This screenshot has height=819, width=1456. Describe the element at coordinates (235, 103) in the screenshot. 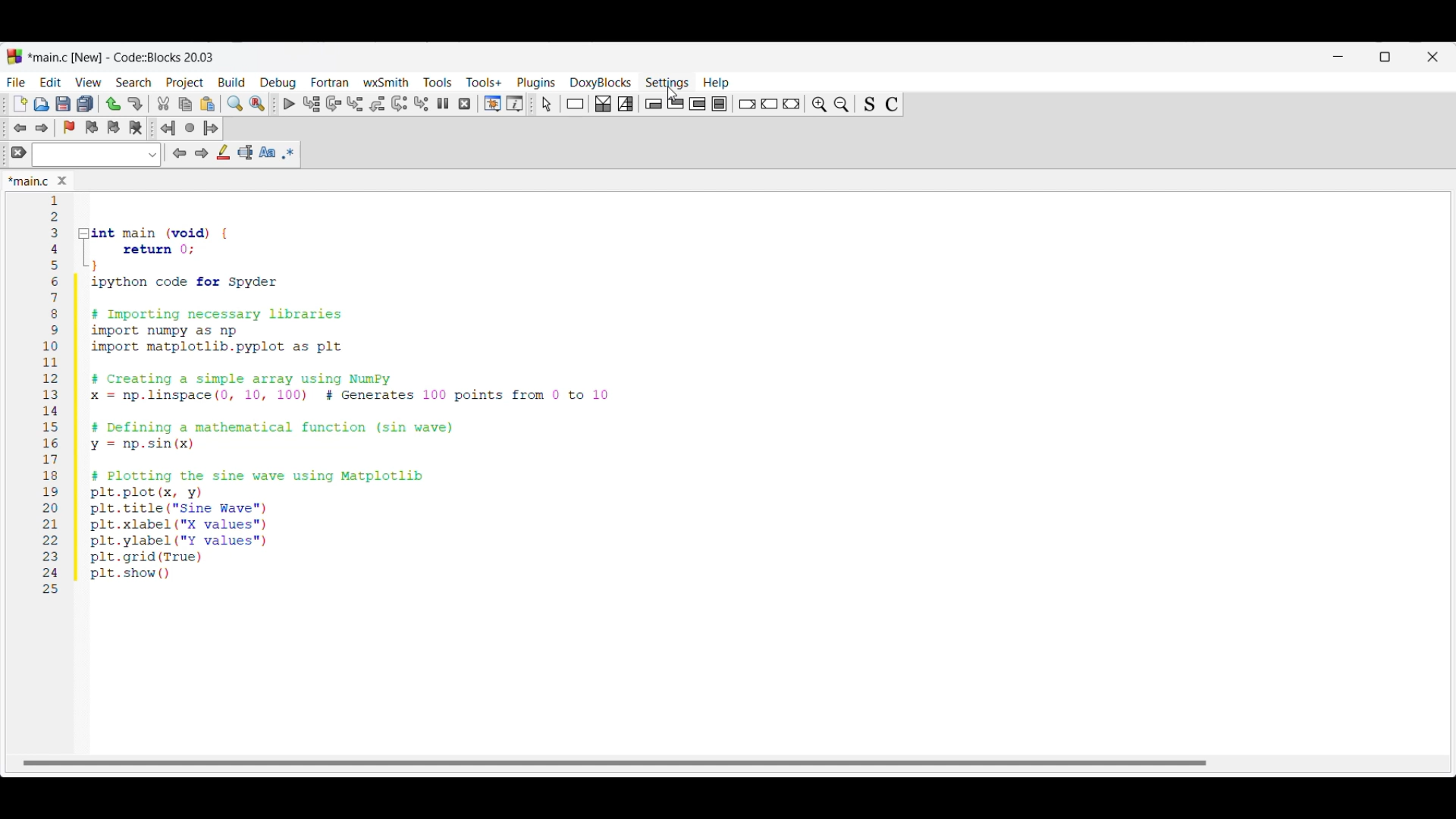

I see `Find` at that location.